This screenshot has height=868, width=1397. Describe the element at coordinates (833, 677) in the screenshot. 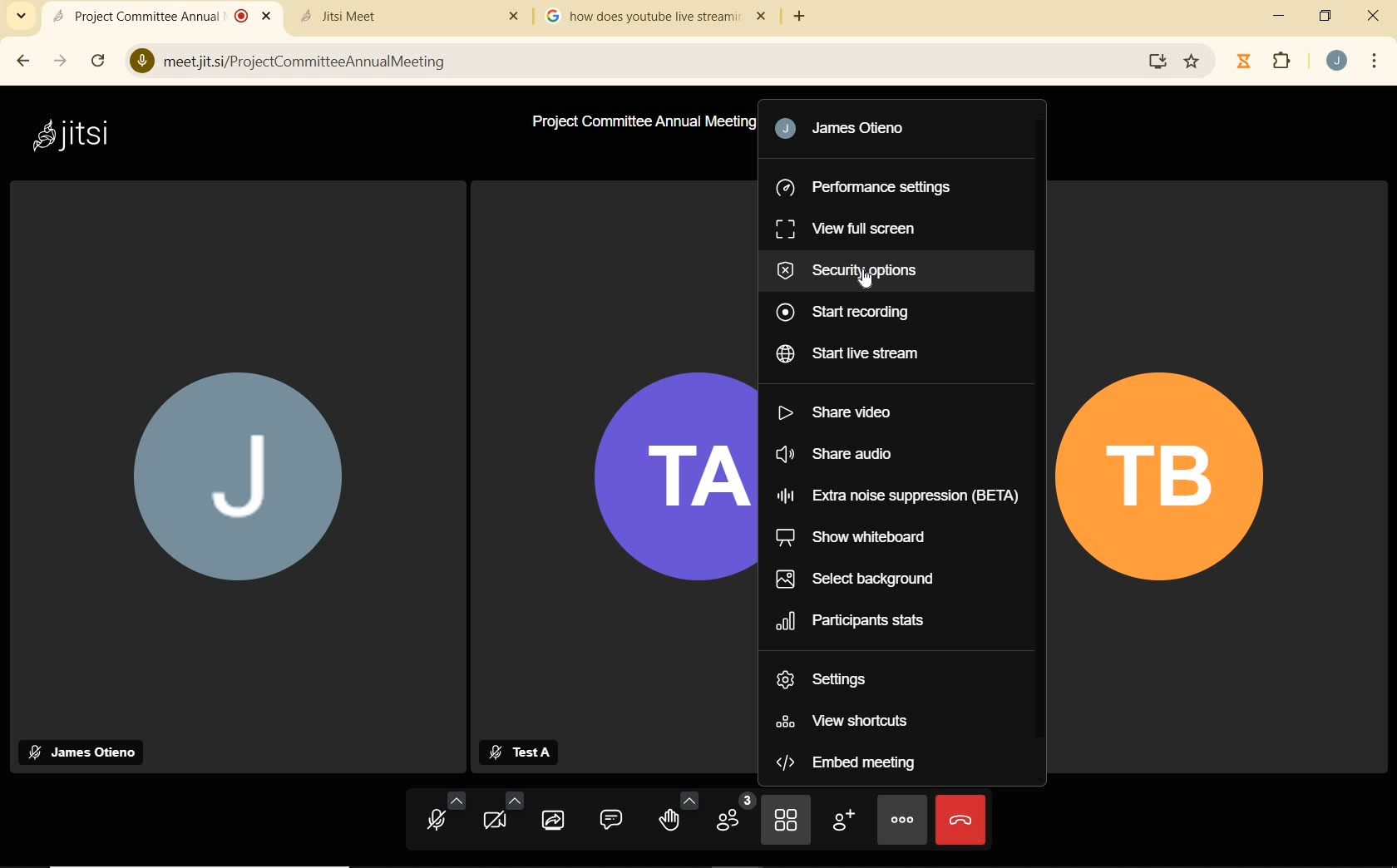

I see `SETTINGS` at that location.